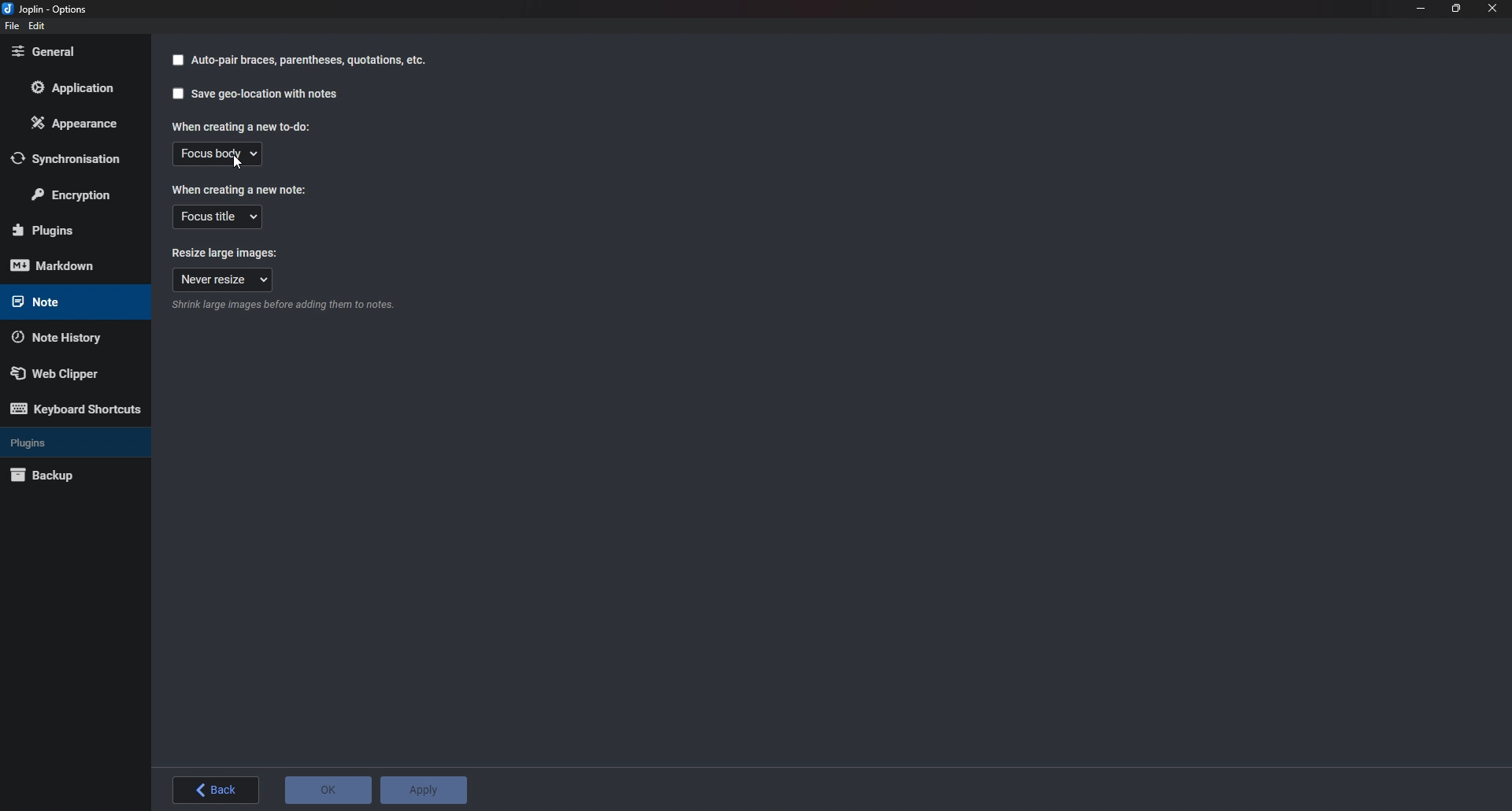 This screenshot has width=1512, height=811. I want to click on File, so click(12, 27).